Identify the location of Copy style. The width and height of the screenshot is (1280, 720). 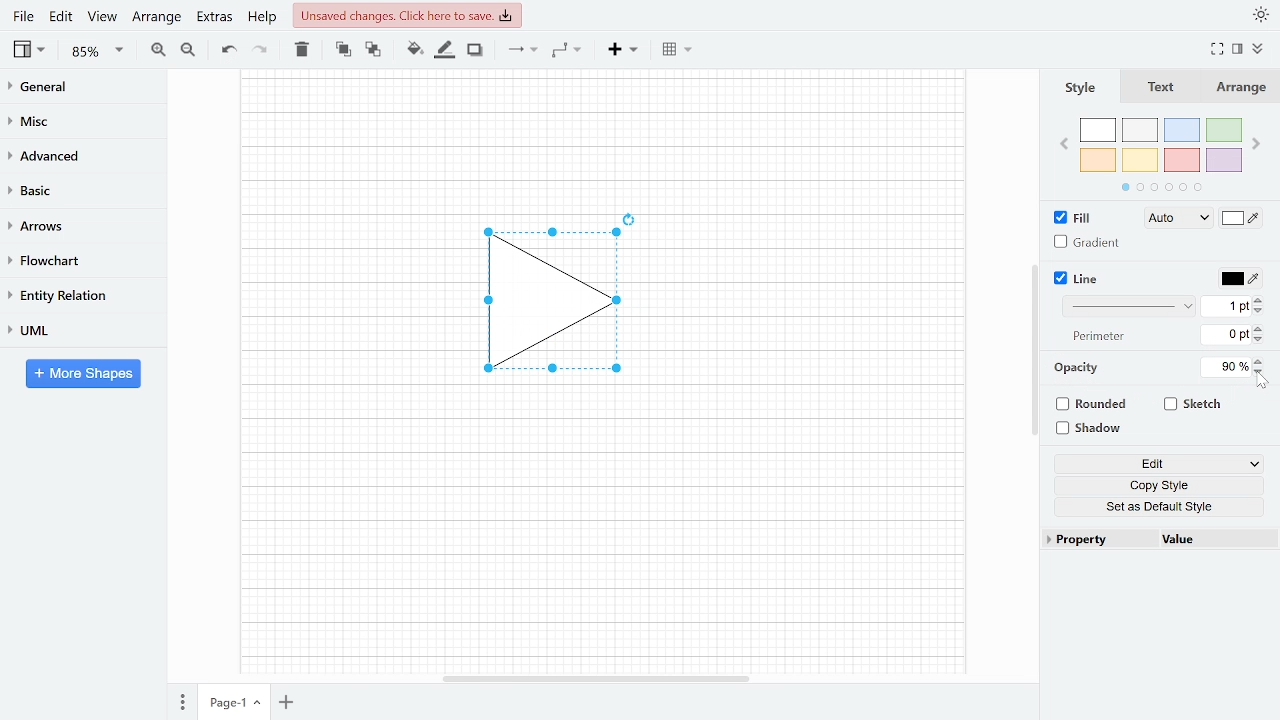
(1163, 486).